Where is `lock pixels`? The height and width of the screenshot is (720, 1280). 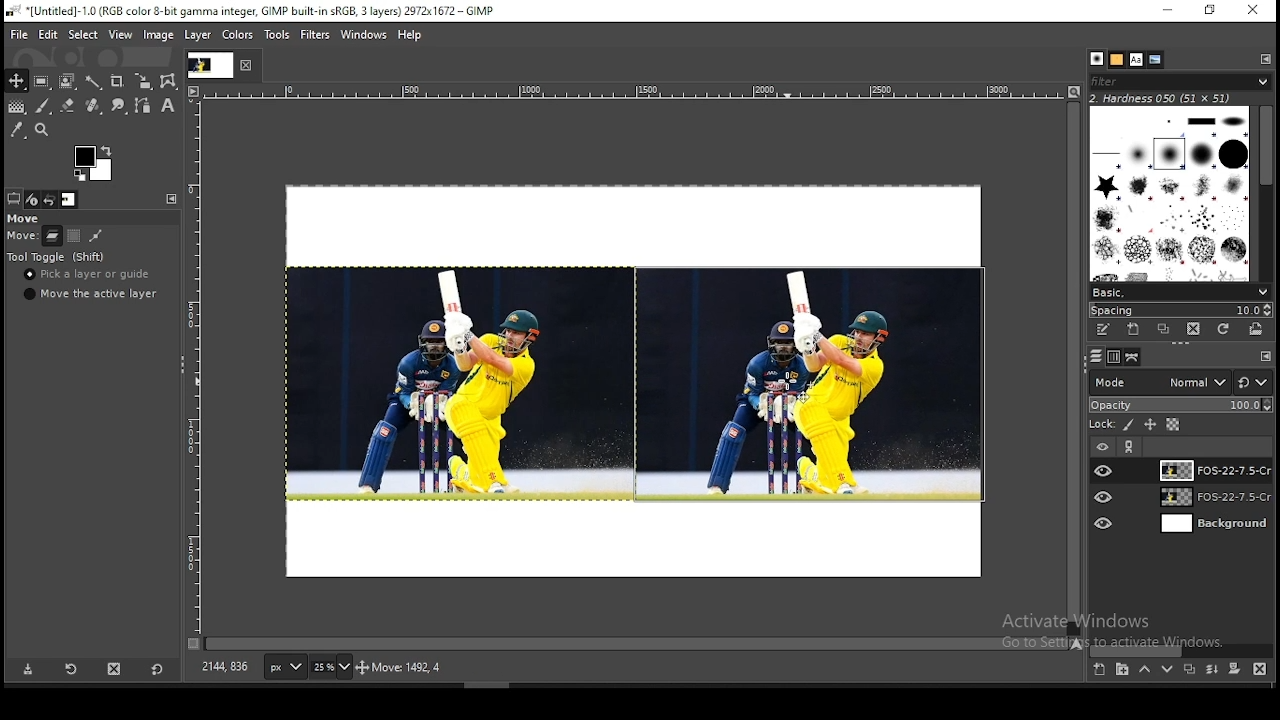
lock pixels is located at coordinates (1130, 427).